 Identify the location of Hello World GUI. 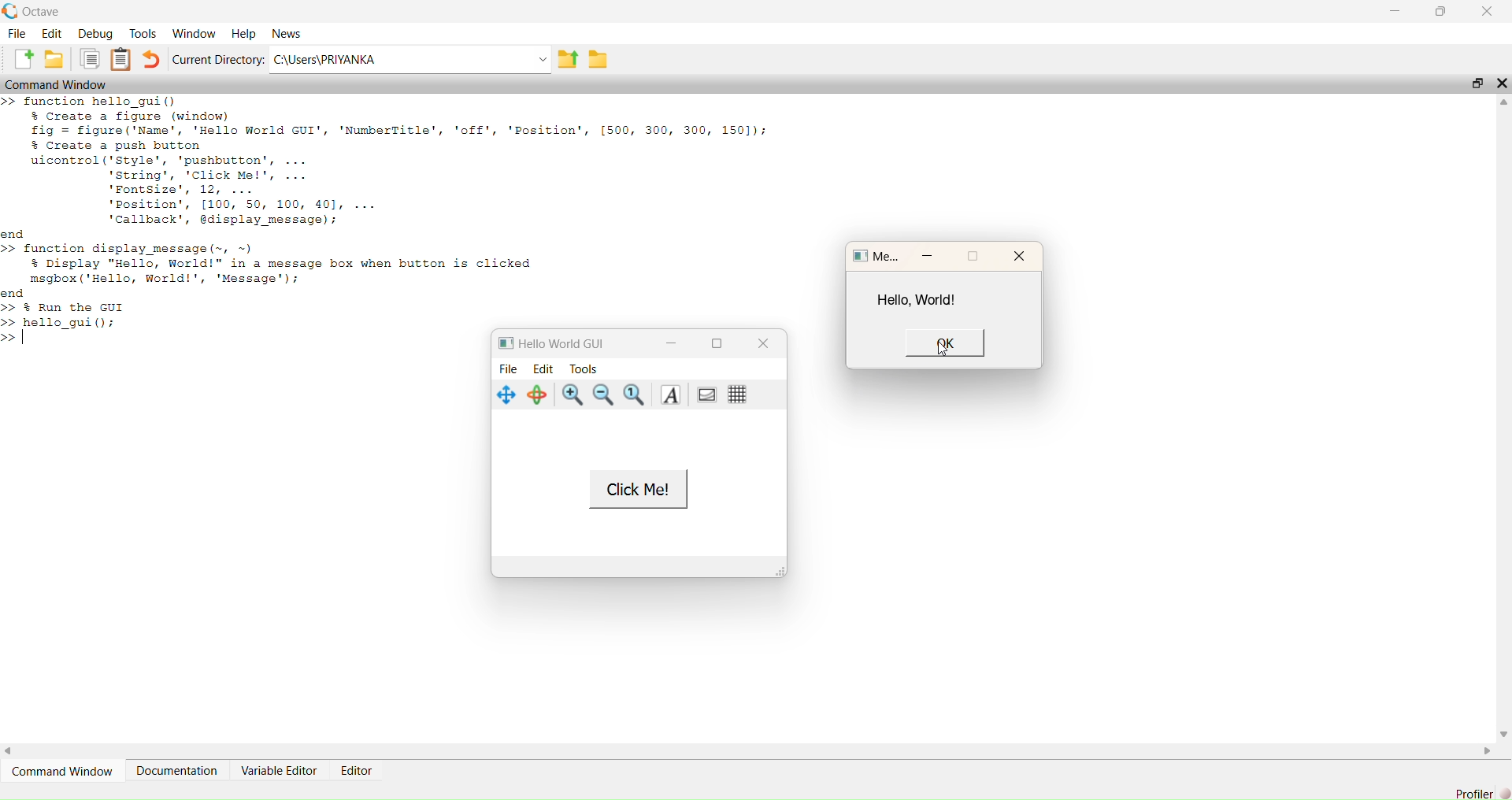
(560, 343).